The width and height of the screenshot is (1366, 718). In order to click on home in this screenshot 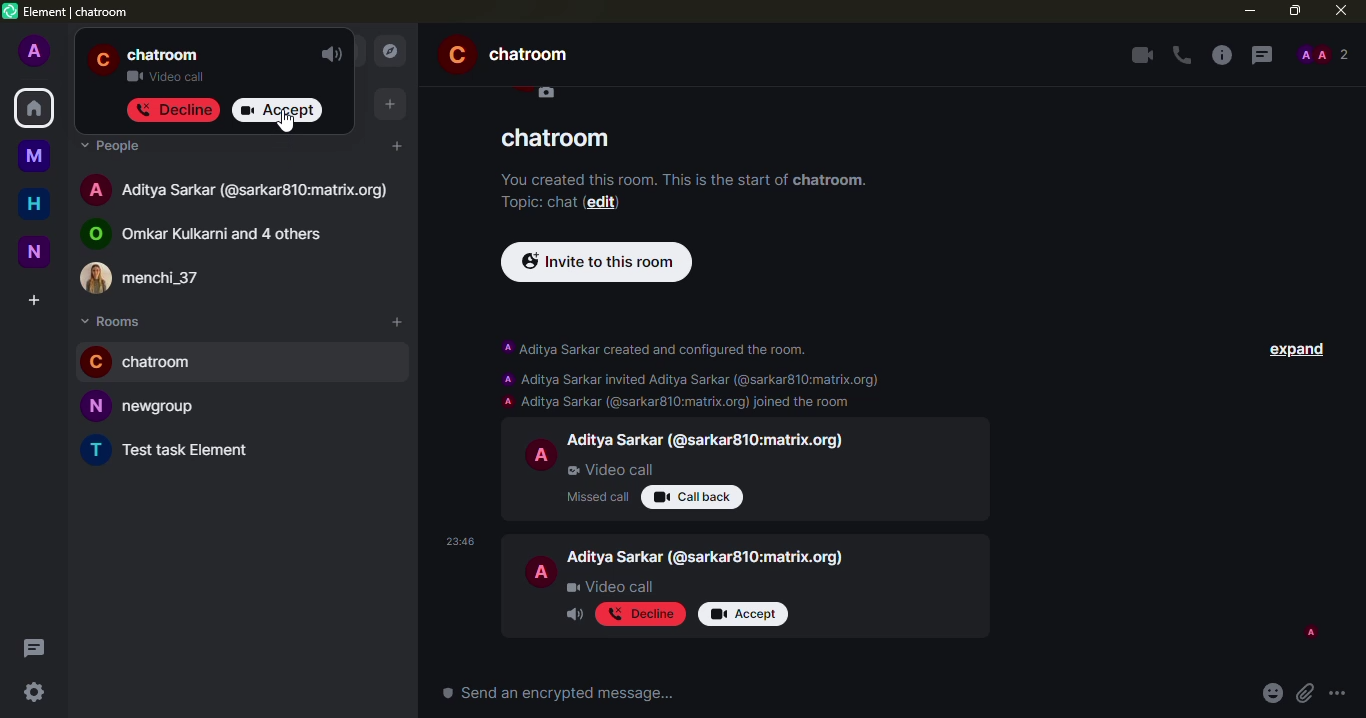, I will do `click(34, 203)`.